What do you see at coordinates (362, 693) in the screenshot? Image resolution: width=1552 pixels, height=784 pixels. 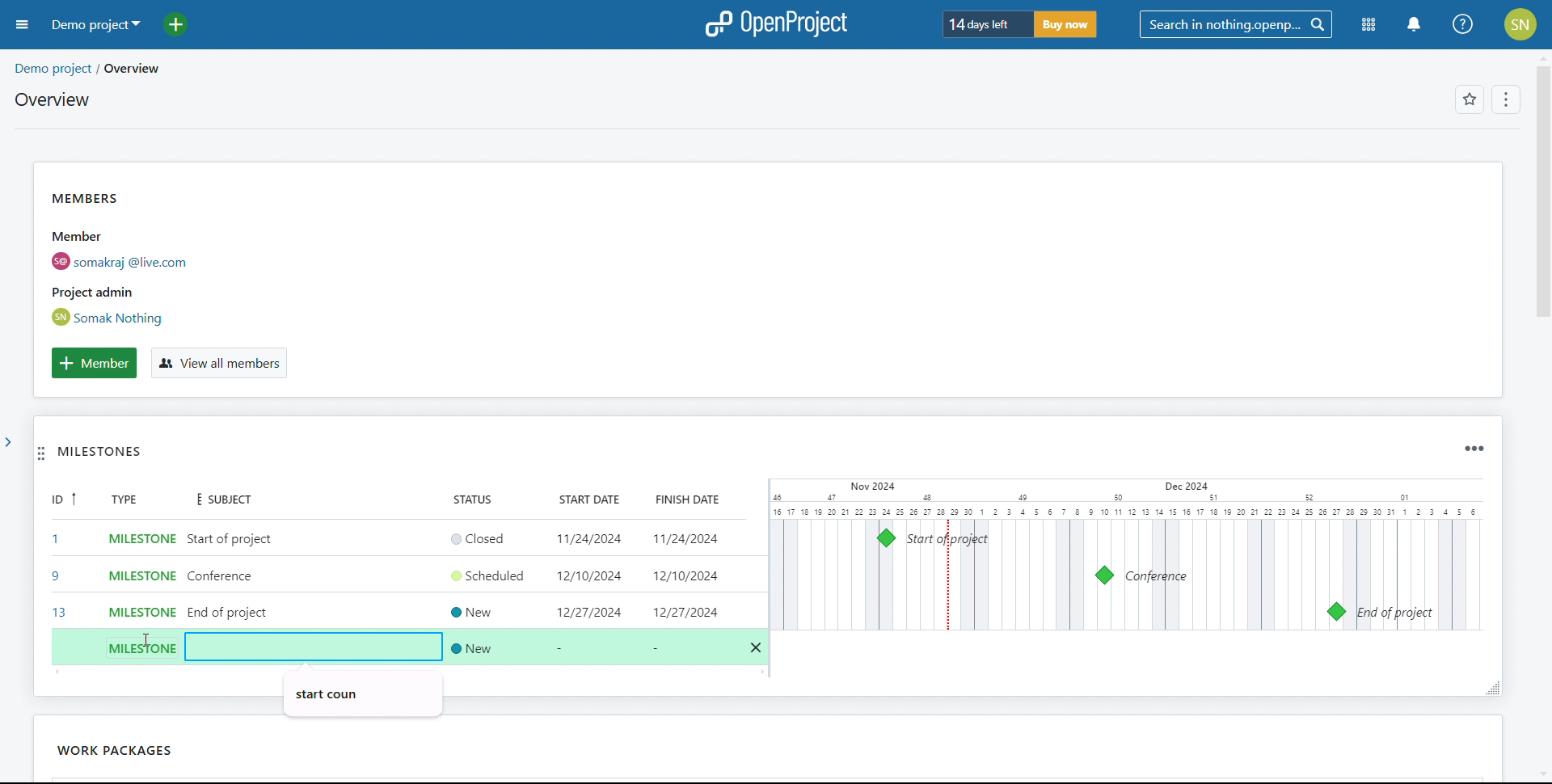 I see `autofill suggestion` at bounding box center [362, 693].